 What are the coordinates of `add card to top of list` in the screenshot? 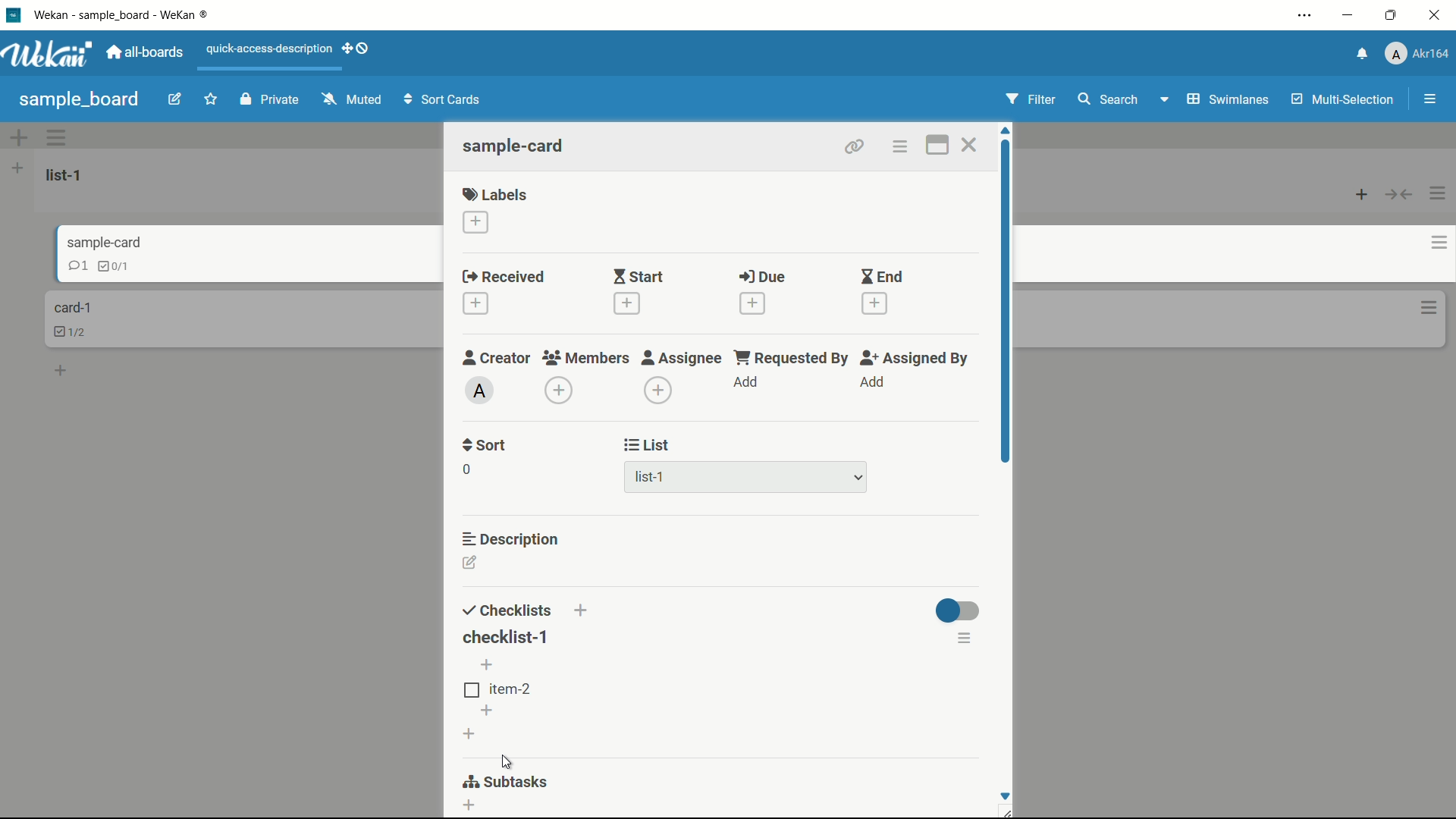 It's located at (1362, 196).